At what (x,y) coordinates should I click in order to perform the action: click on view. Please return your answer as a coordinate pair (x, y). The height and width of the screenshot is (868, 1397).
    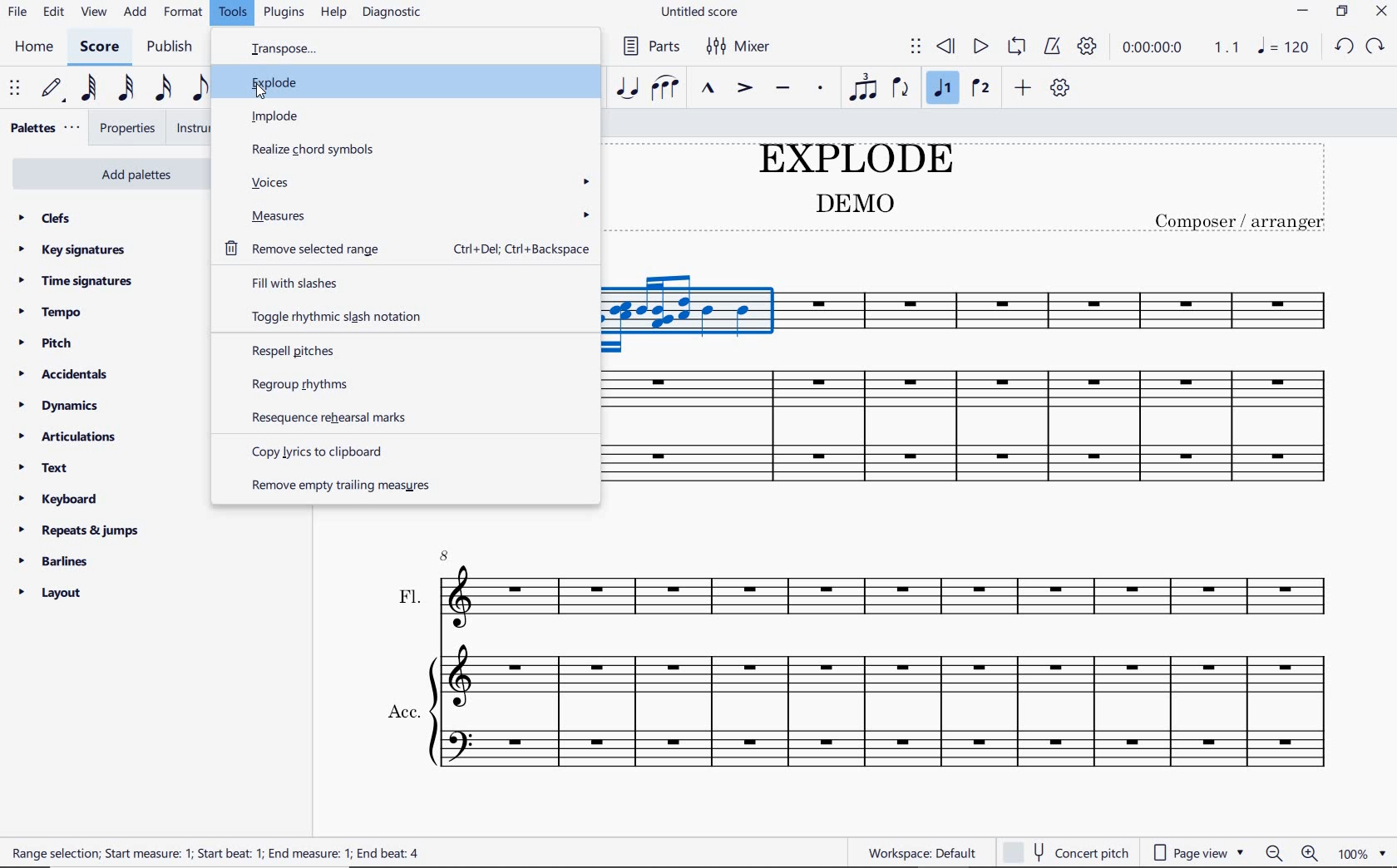
    Looking at the image, I should click on (91, 11).